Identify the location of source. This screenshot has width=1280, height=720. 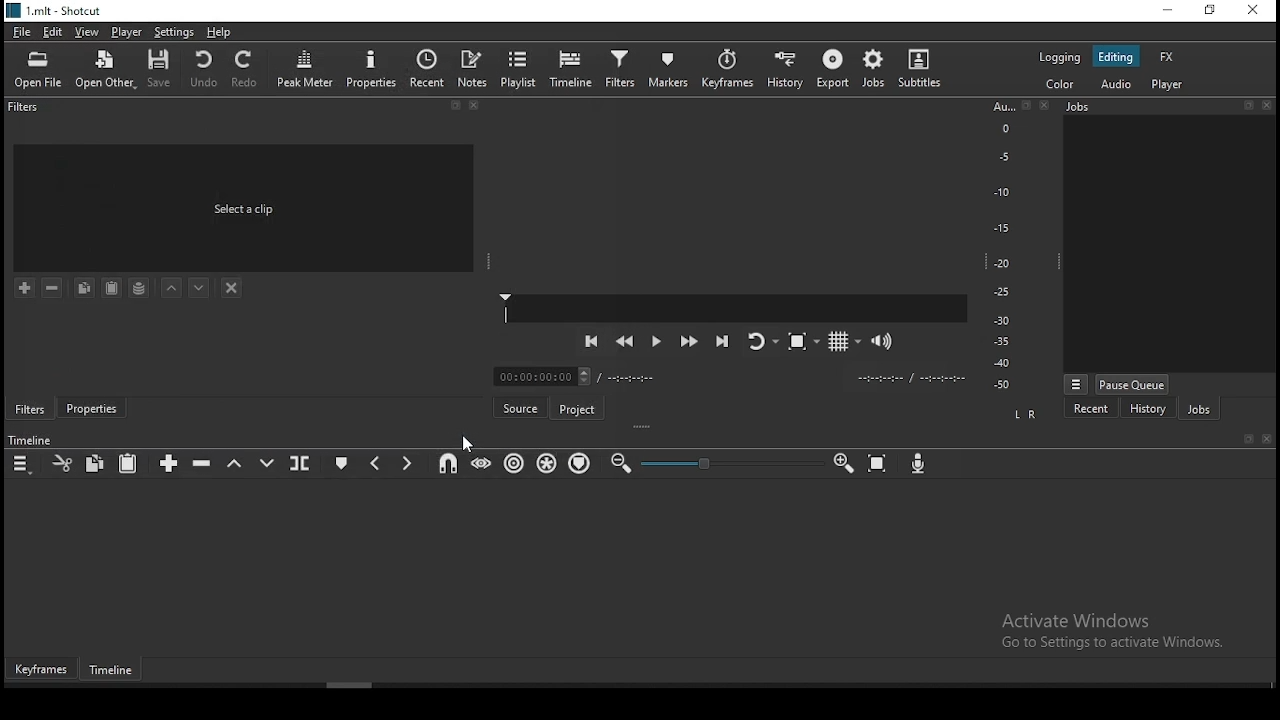
(519, 406).